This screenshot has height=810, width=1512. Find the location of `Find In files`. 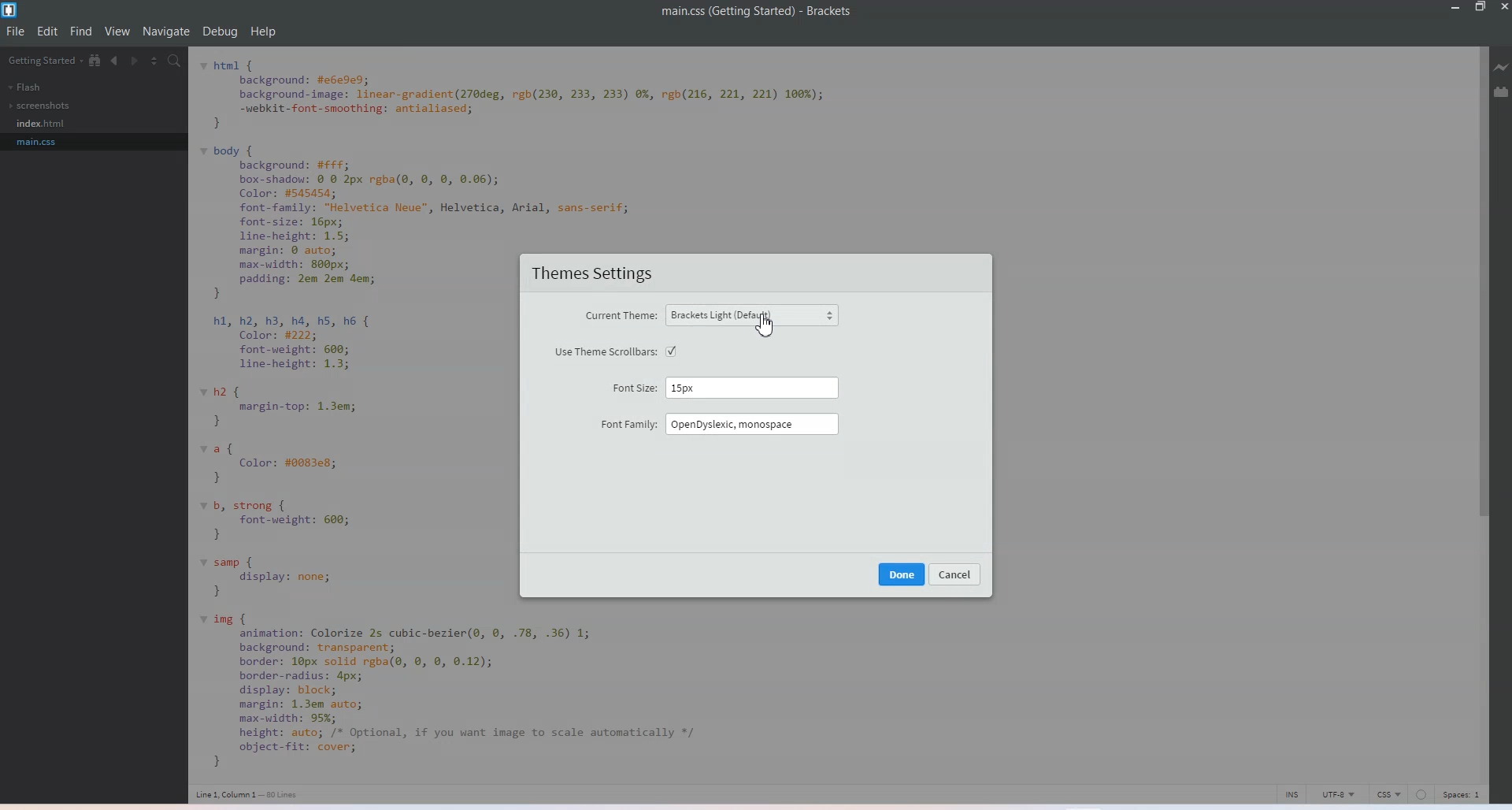

Find In files is located at coordinates (176, 60).